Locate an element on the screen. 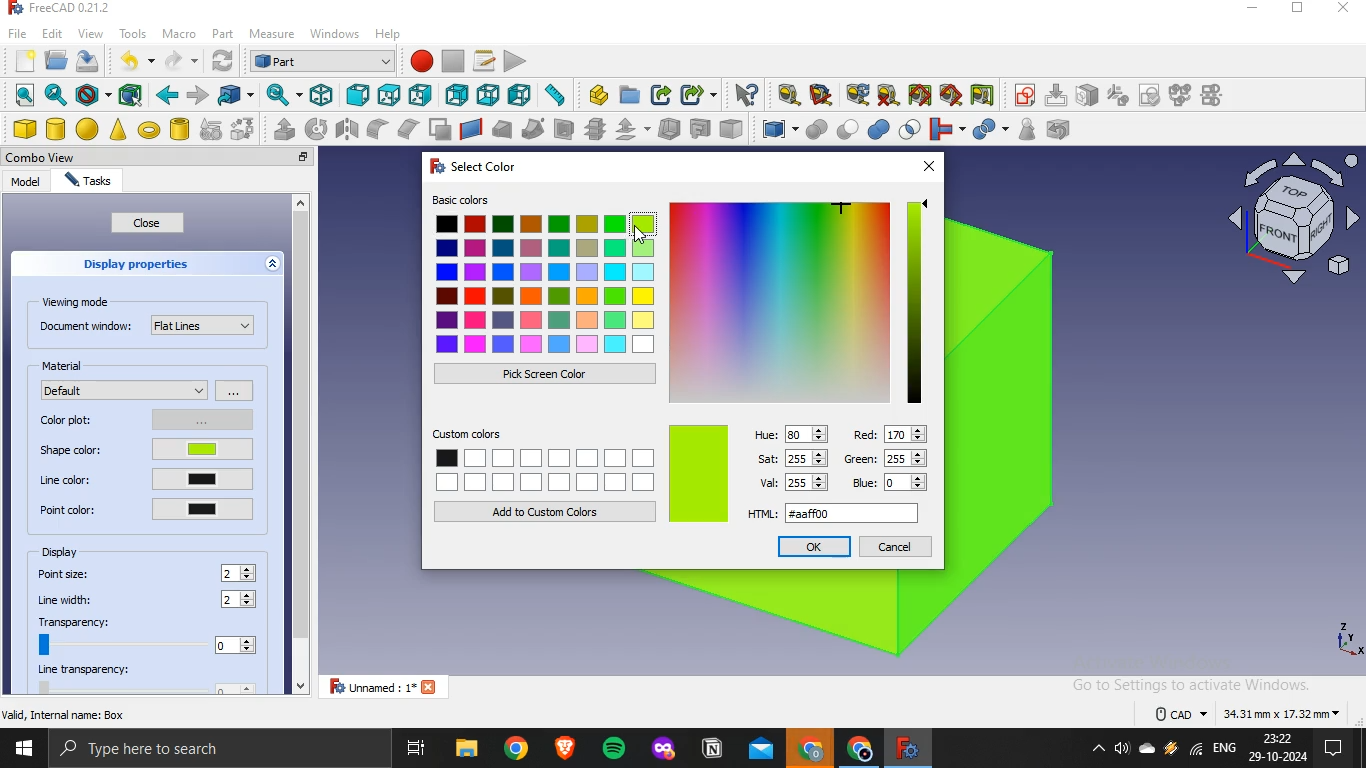 The width and height of the screenshot is (1366, 768). make face from wires is located at coordinates (439, 129).